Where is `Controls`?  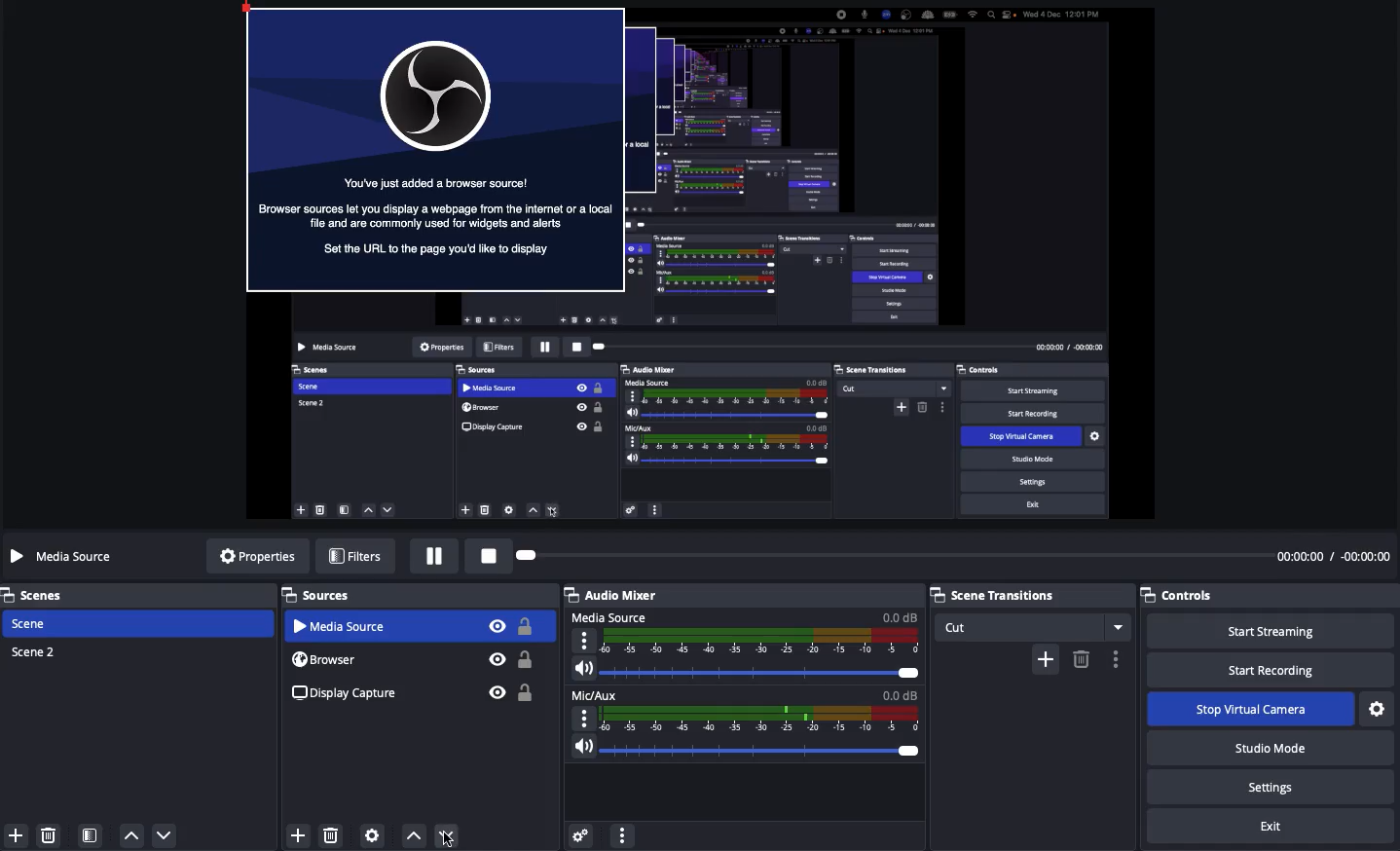
Controls is located at coordinates (1188, 596).